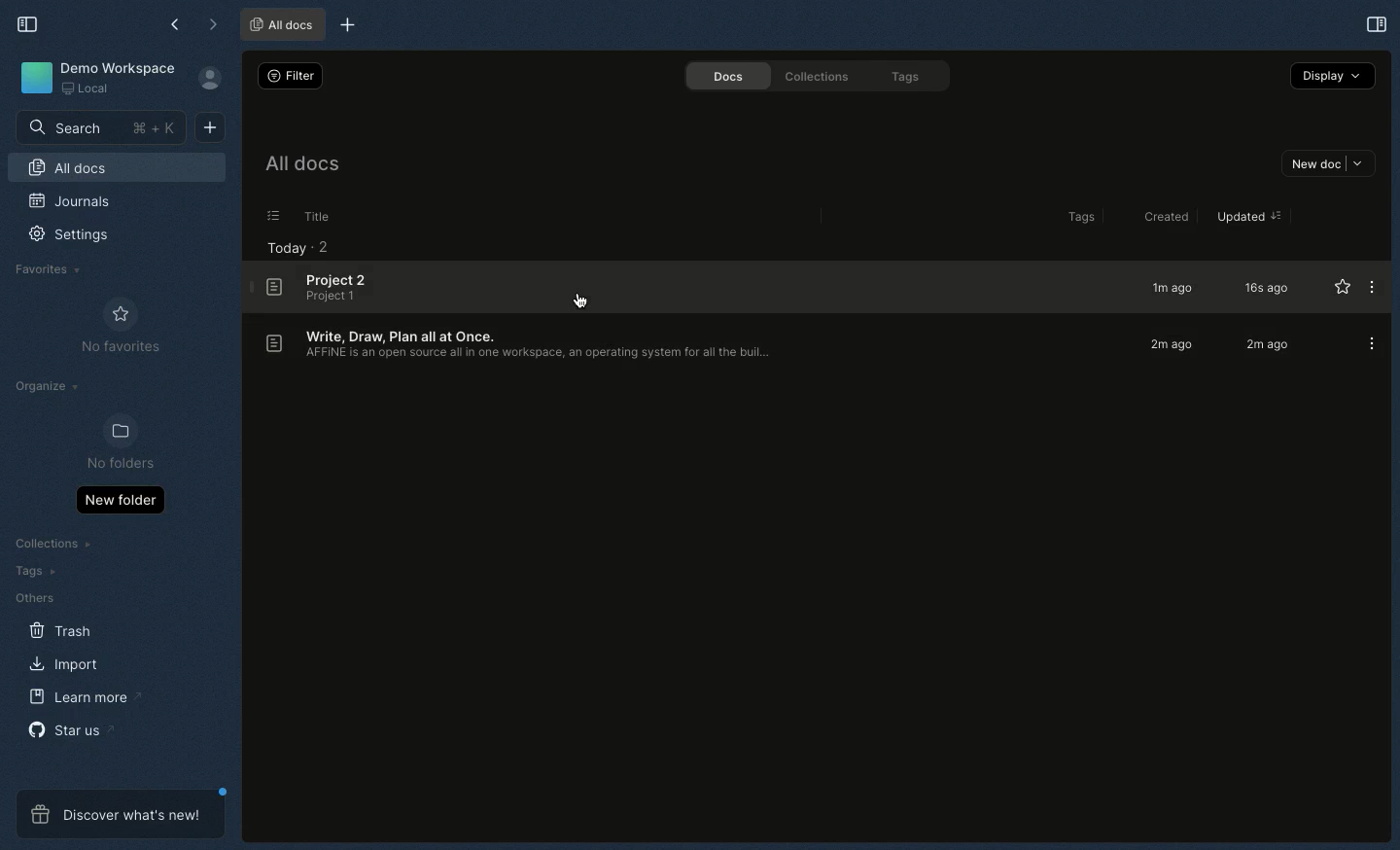 The image size is (1400, 850). I want to click on Trash, so click(60, 631).